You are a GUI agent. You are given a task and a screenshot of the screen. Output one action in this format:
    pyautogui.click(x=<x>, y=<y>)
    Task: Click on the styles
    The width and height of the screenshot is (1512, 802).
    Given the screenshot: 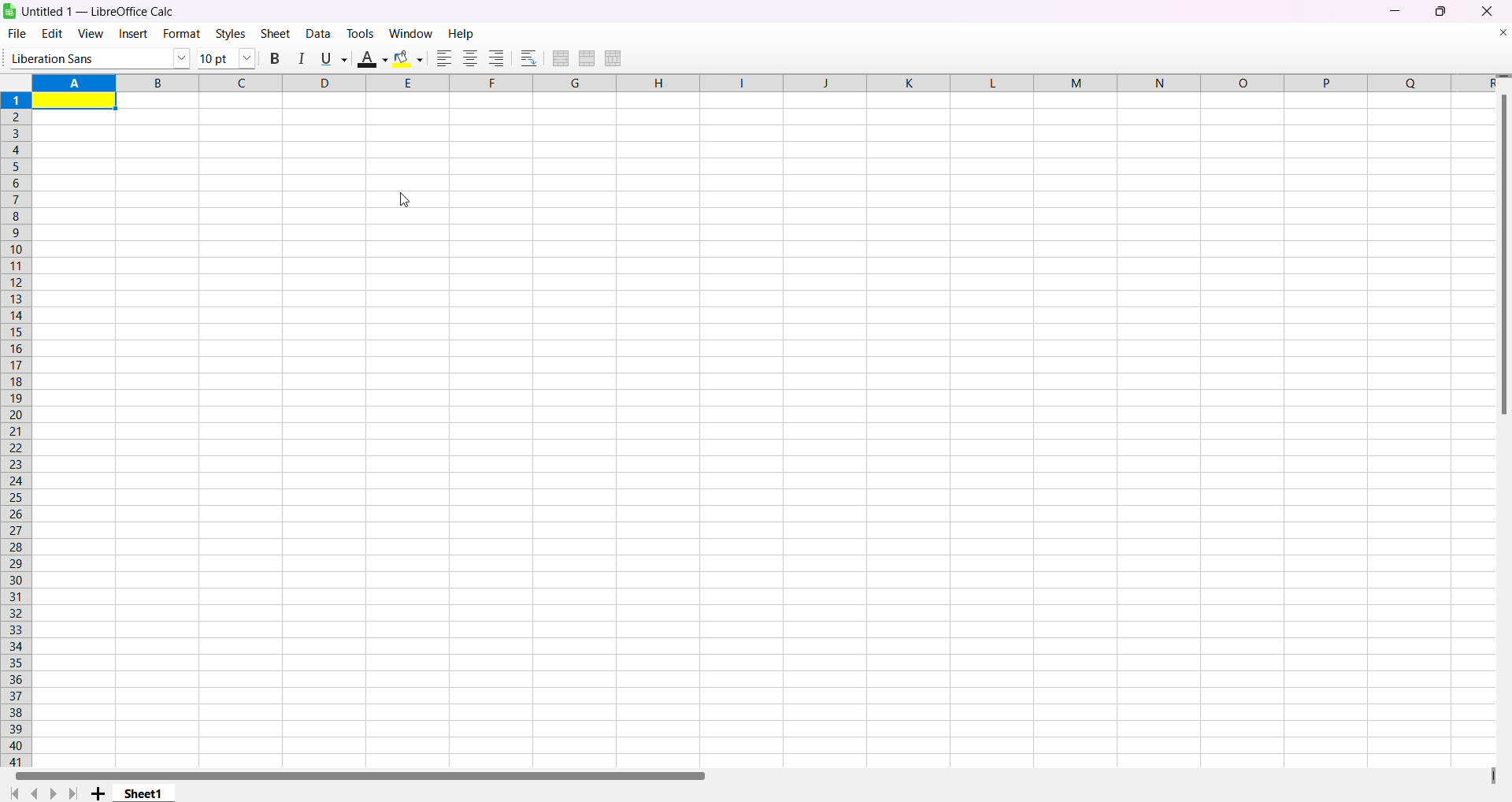 What is the action you would take?
    pyautogui.click(x=229, y=33)
    